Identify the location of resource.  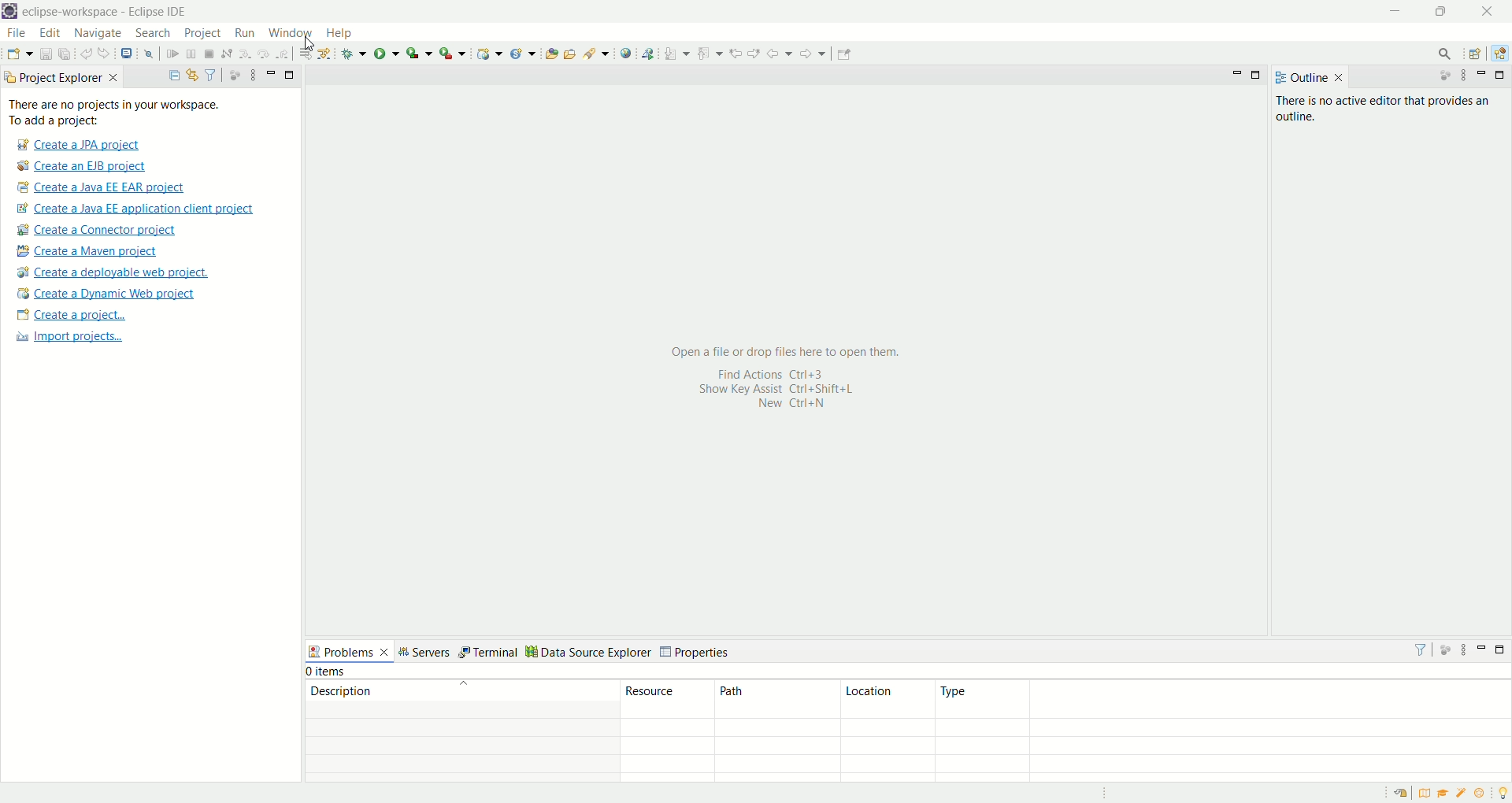
(664, 698).